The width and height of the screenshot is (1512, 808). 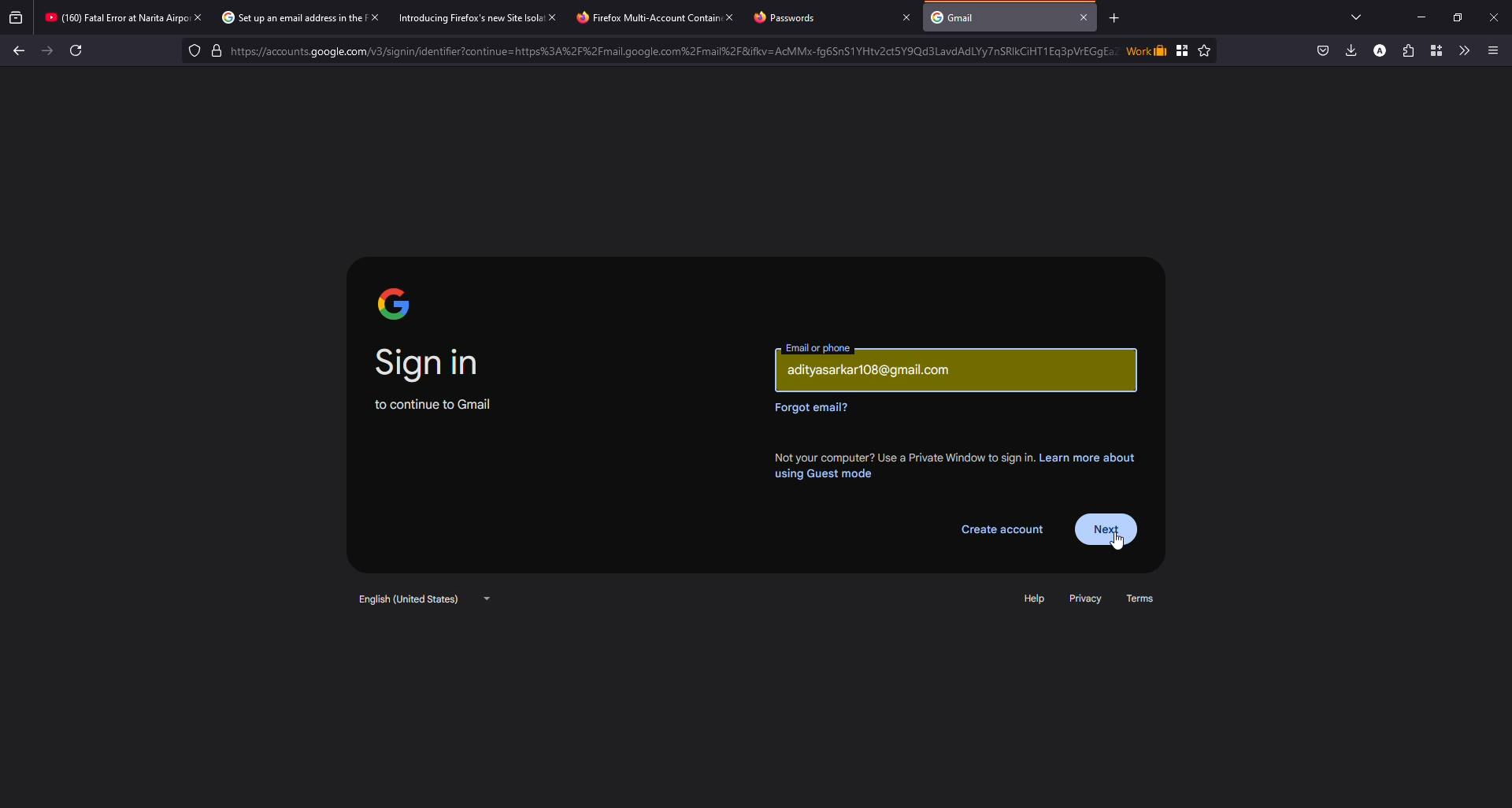 What do you see at coordinates (813, 407) in the screenshot?
I see `forgot email` at bounding box center [813, 407].